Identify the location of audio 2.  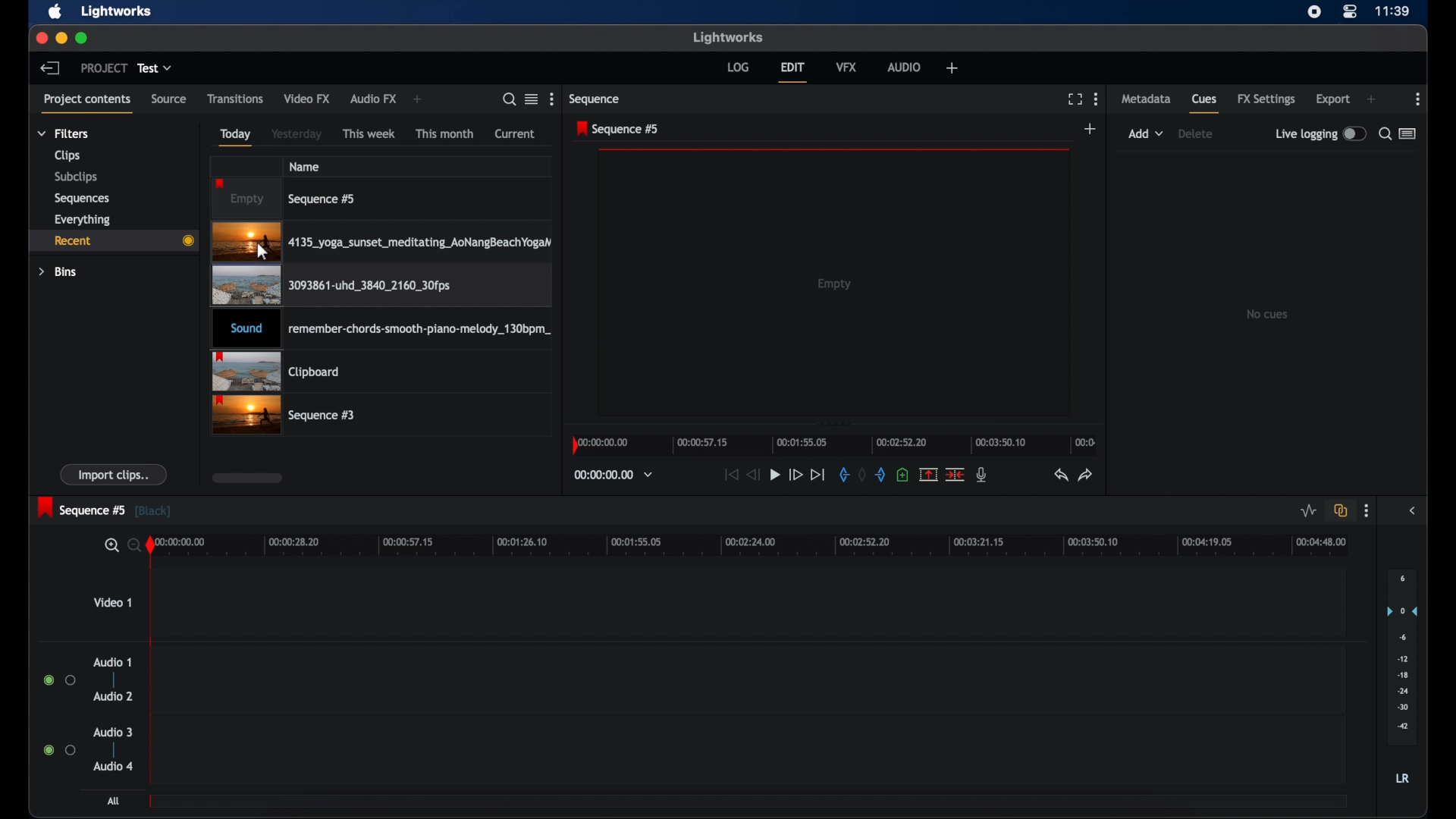
(115, 696).